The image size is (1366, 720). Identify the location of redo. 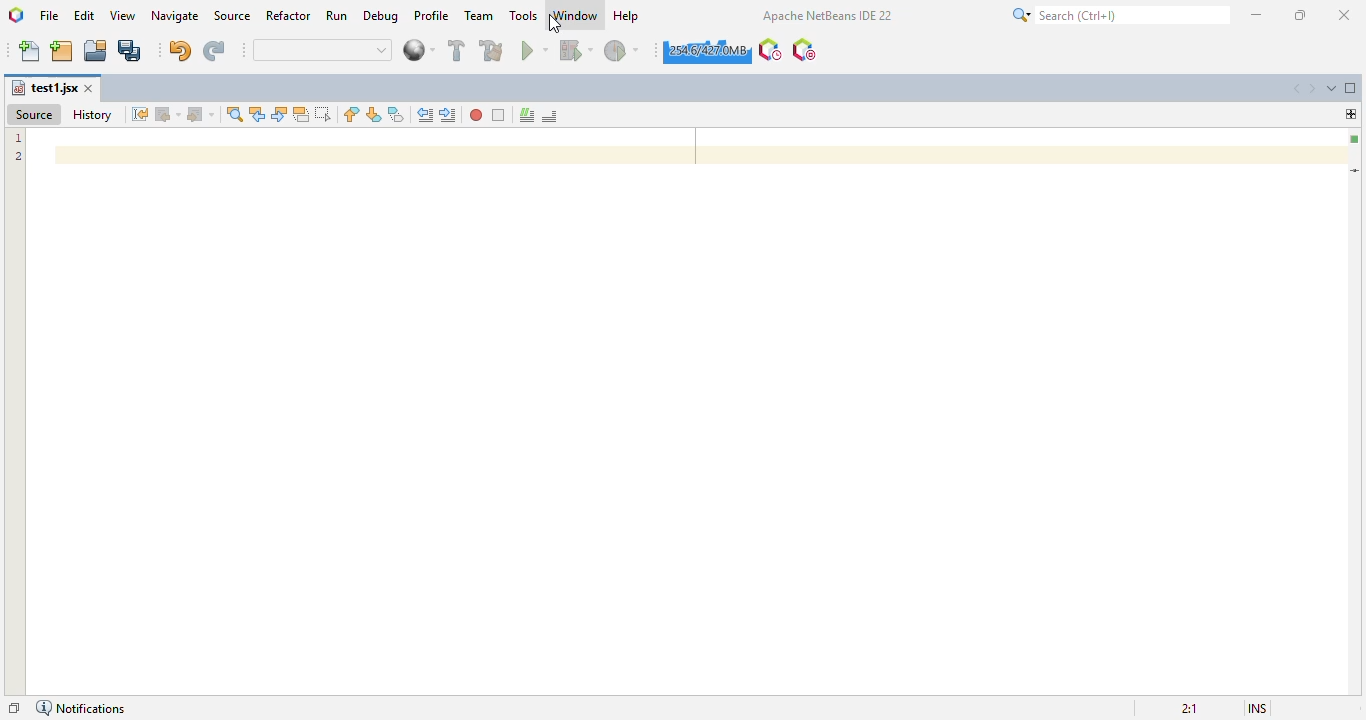
(215, 51).